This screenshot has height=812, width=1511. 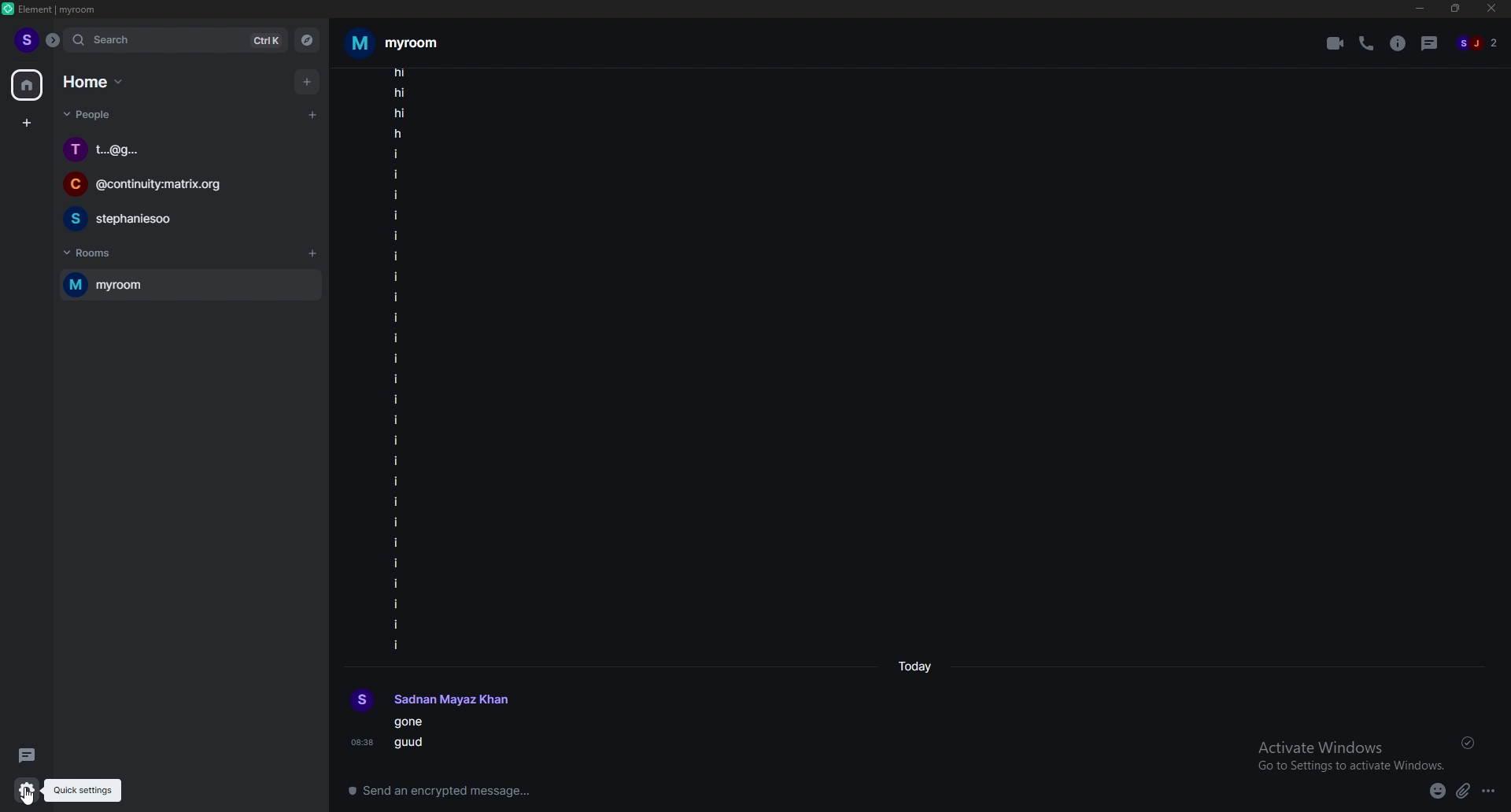 What do you see at coordinates (53, 40) in the screenshot?
I see `expand` at bounding box center [53, 40].